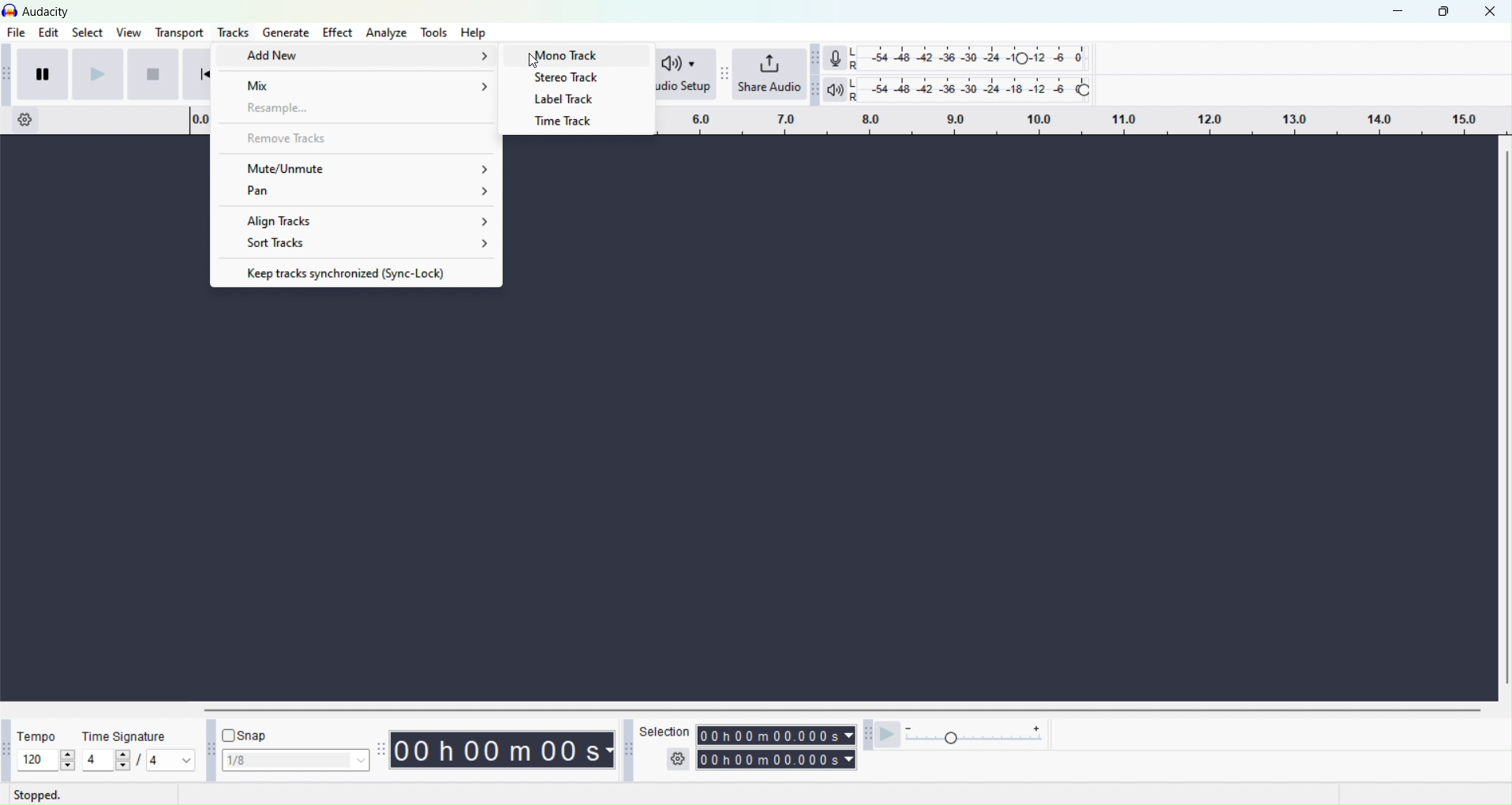 The image size is (1512, 805). Describe the element at coordinates (32, 760) in the screenshot. I see `edit/current tempo` at that location.